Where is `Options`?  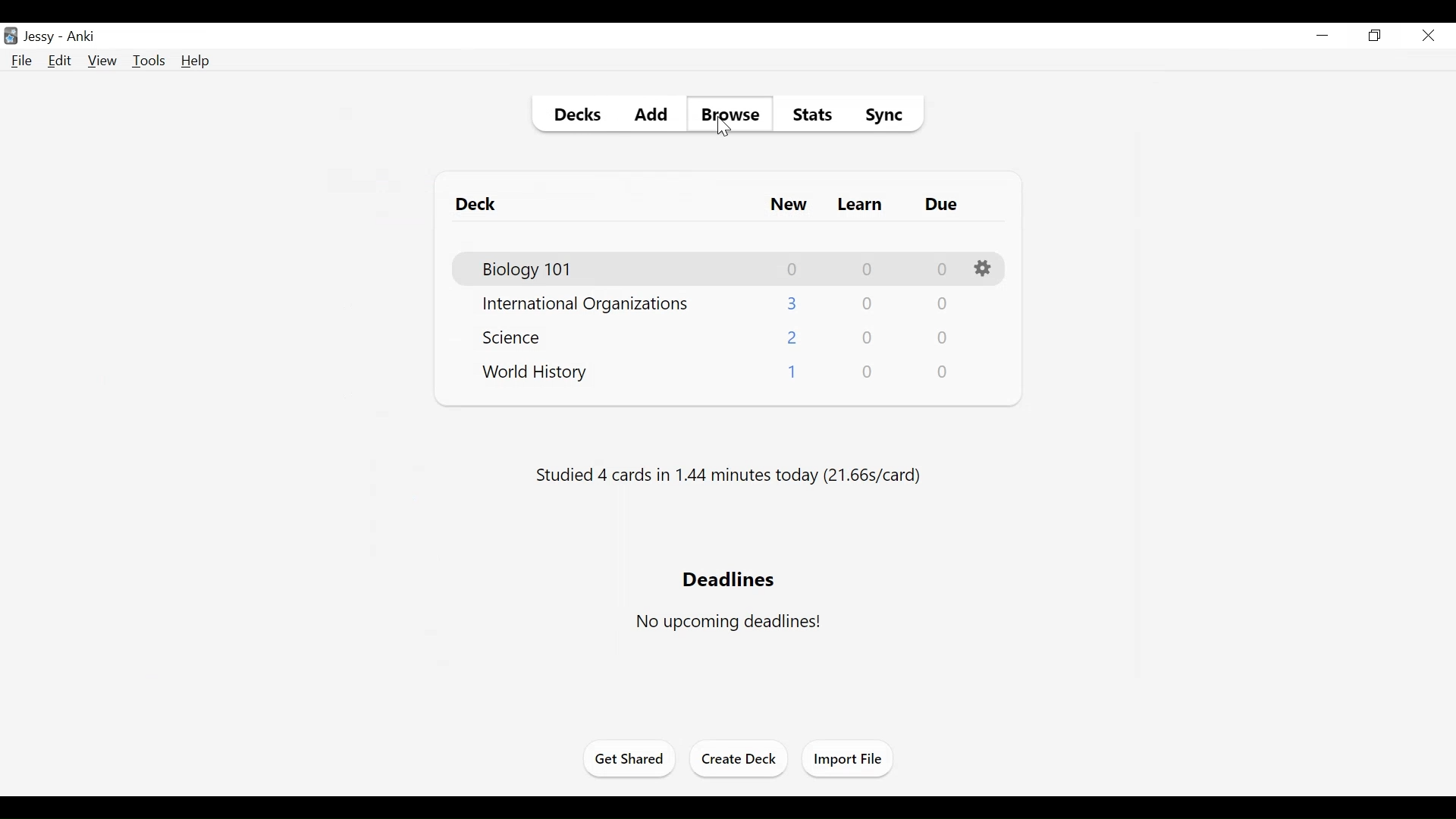 Options is located at coordinates (984, 268).